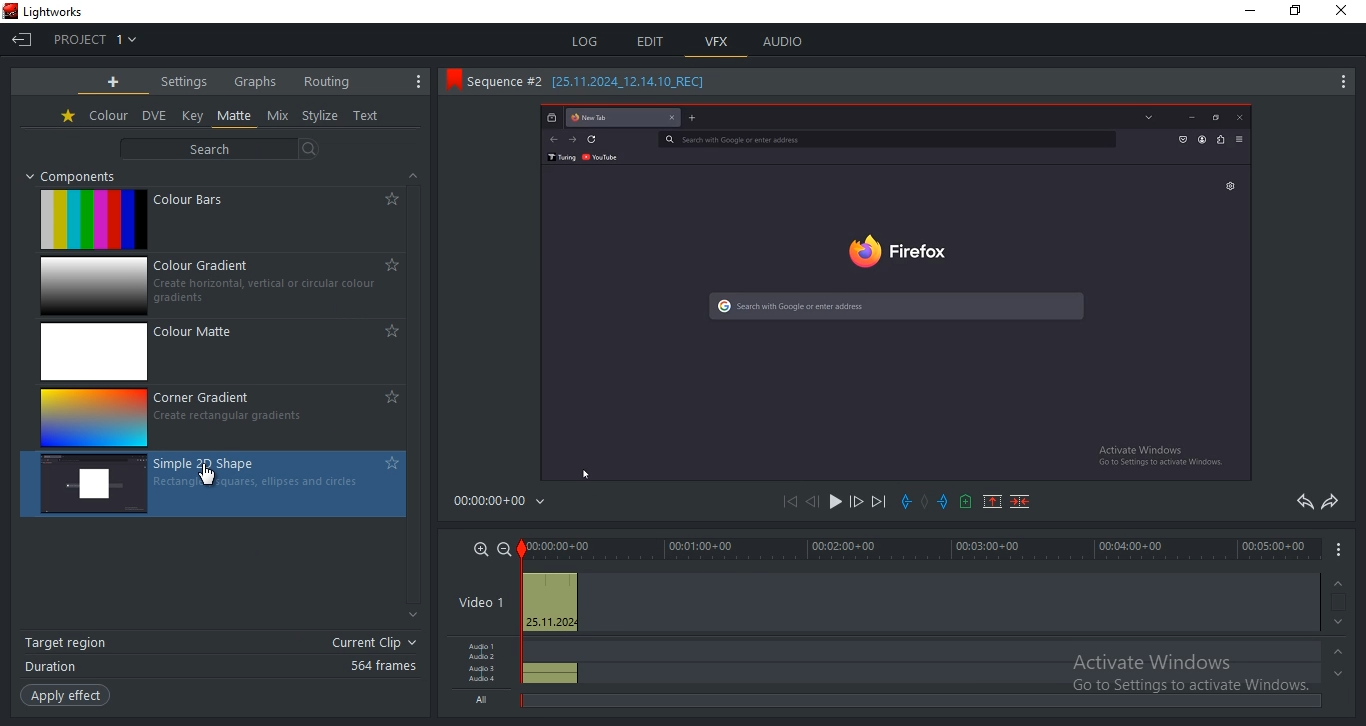 The width and height of the screenshot is (1366, 726). What do you see at coordinates (23, 41) in the screenshot?
I see `exit current project and go to project browser` at bounding box center [23, 41].